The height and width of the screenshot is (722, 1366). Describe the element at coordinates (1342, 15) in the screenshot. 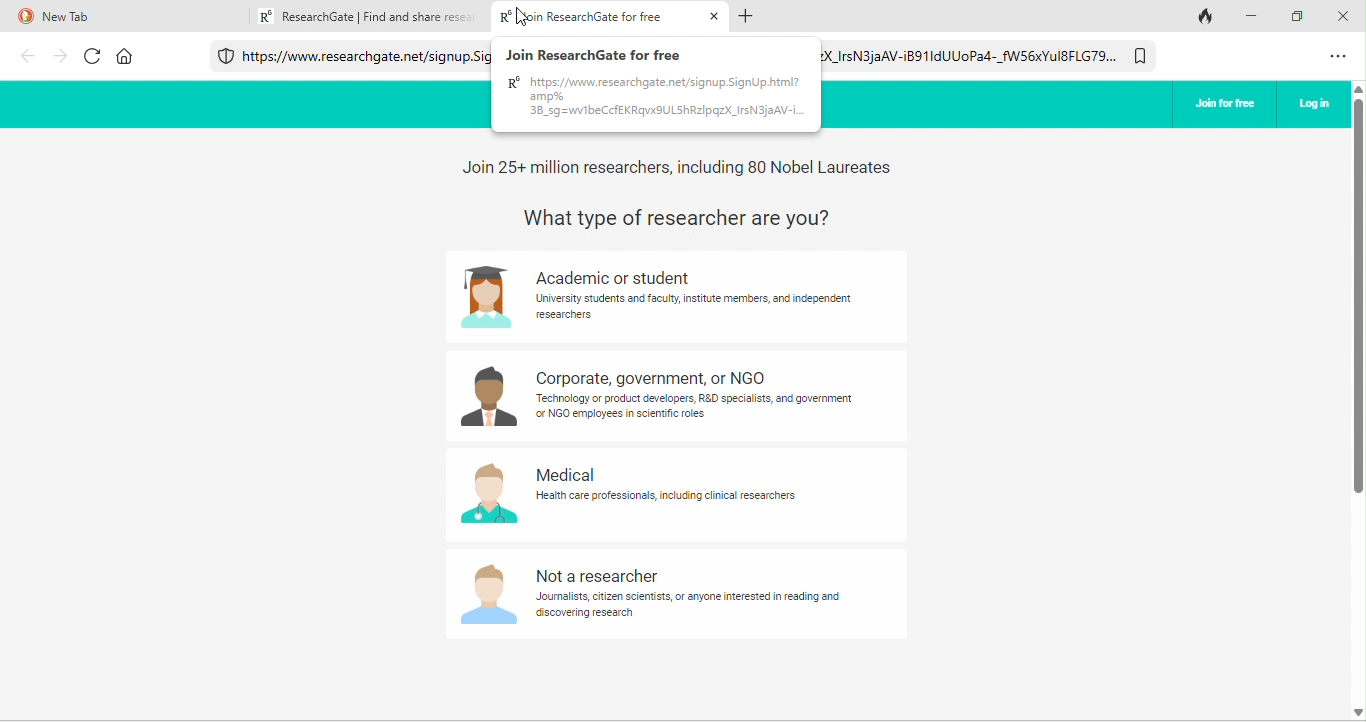

I see `close` at that location.